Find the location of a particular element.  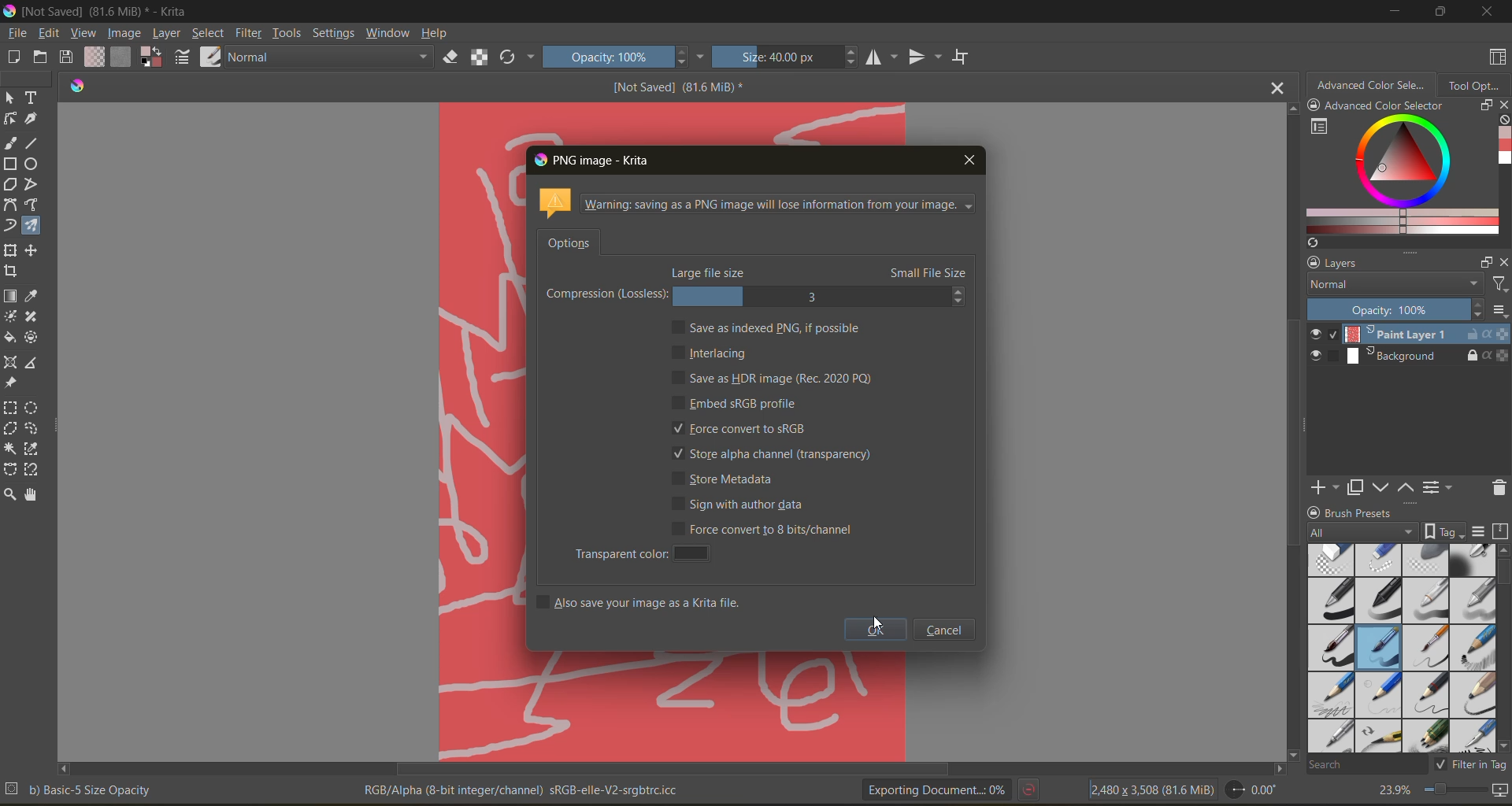

Advanced color selector is located at coordinates (1503, 148).